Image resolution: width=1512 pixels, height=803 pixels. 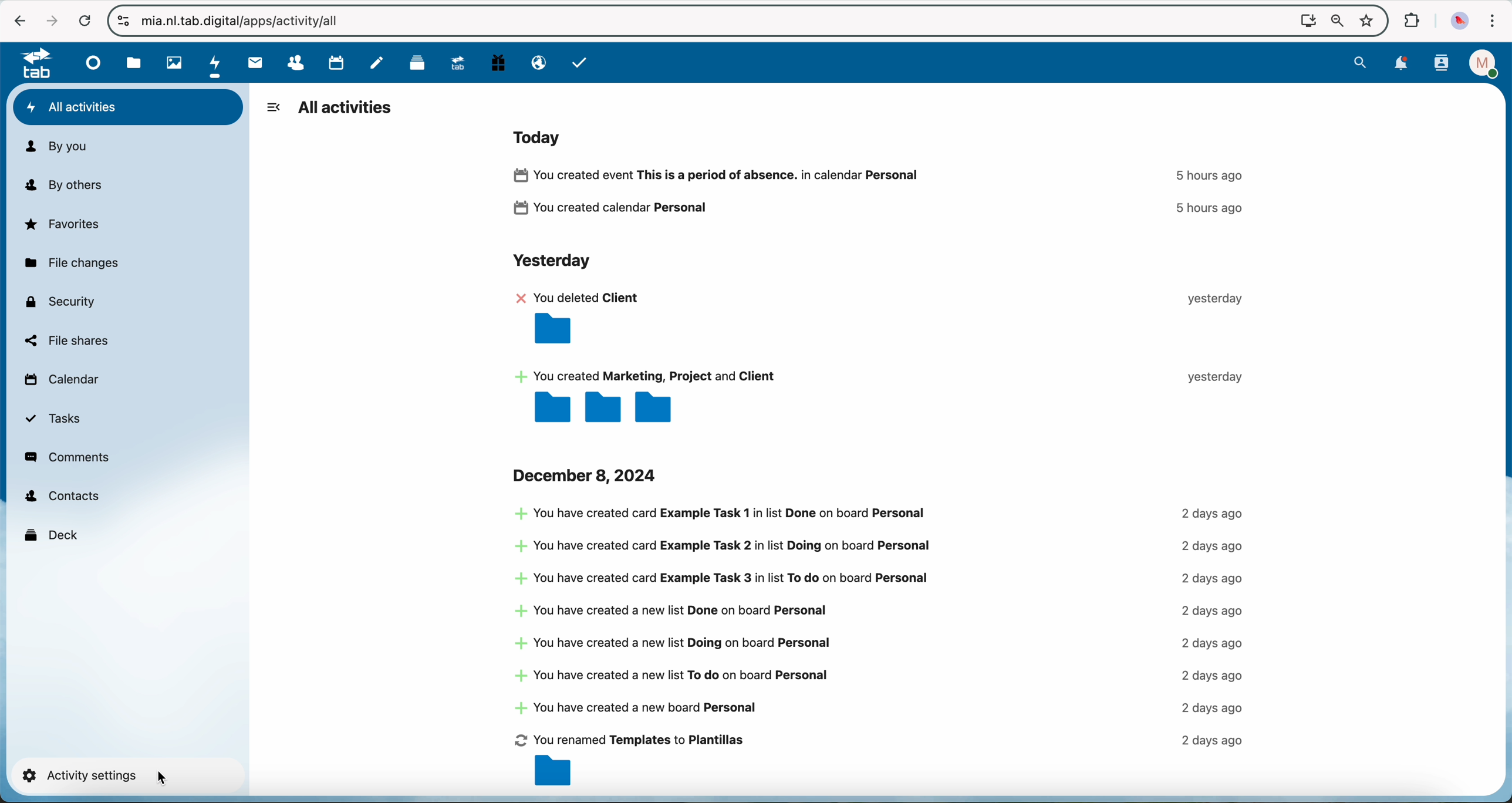 What do you see at coordinates (885, 356) in the screenshot?
I see `activity` at bounding box center [885, 356].